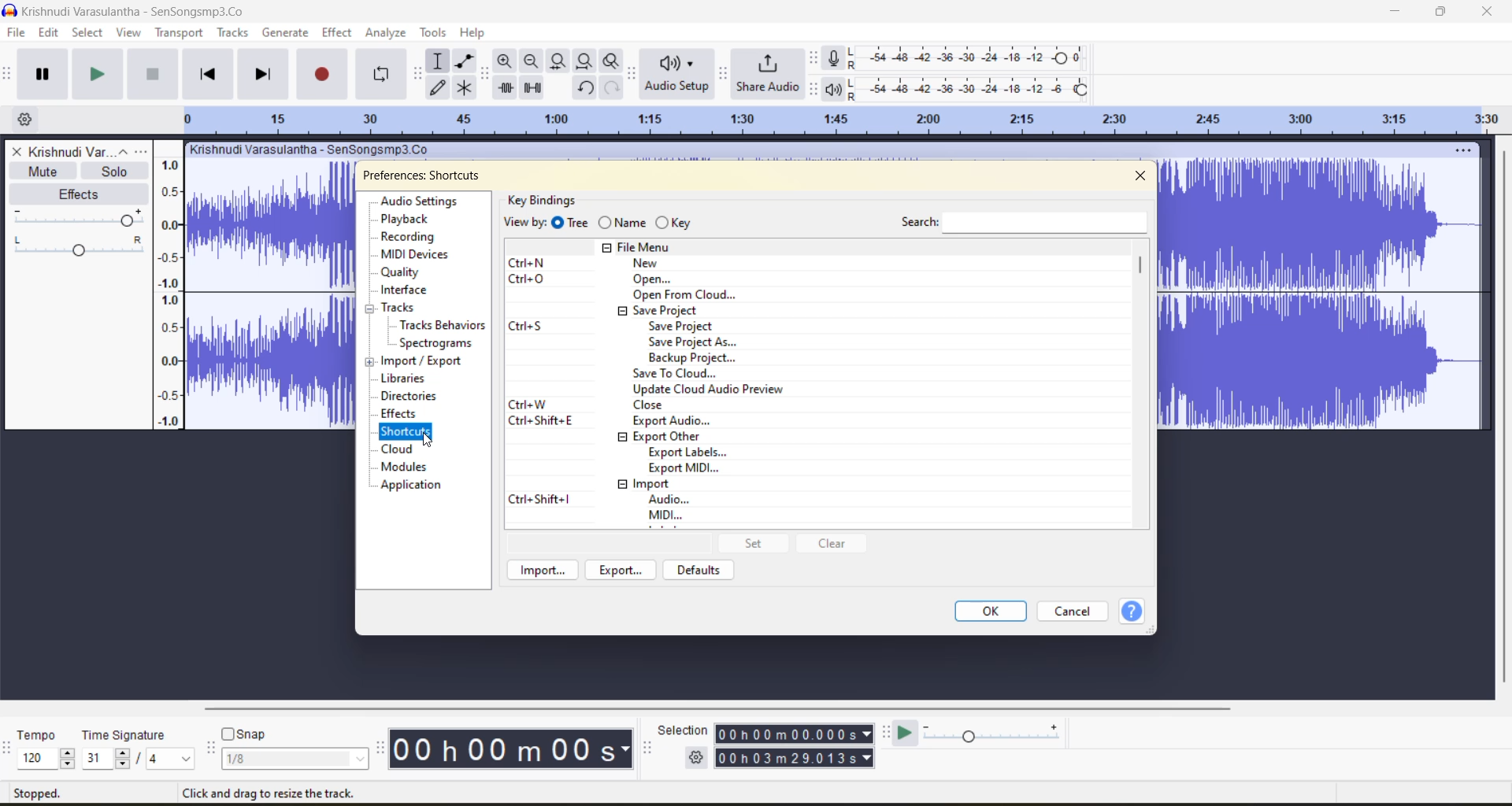  What do you see at coordinates (418, 254) in the screenshot?
I see `midi devices` at bounding box center [418, 254].